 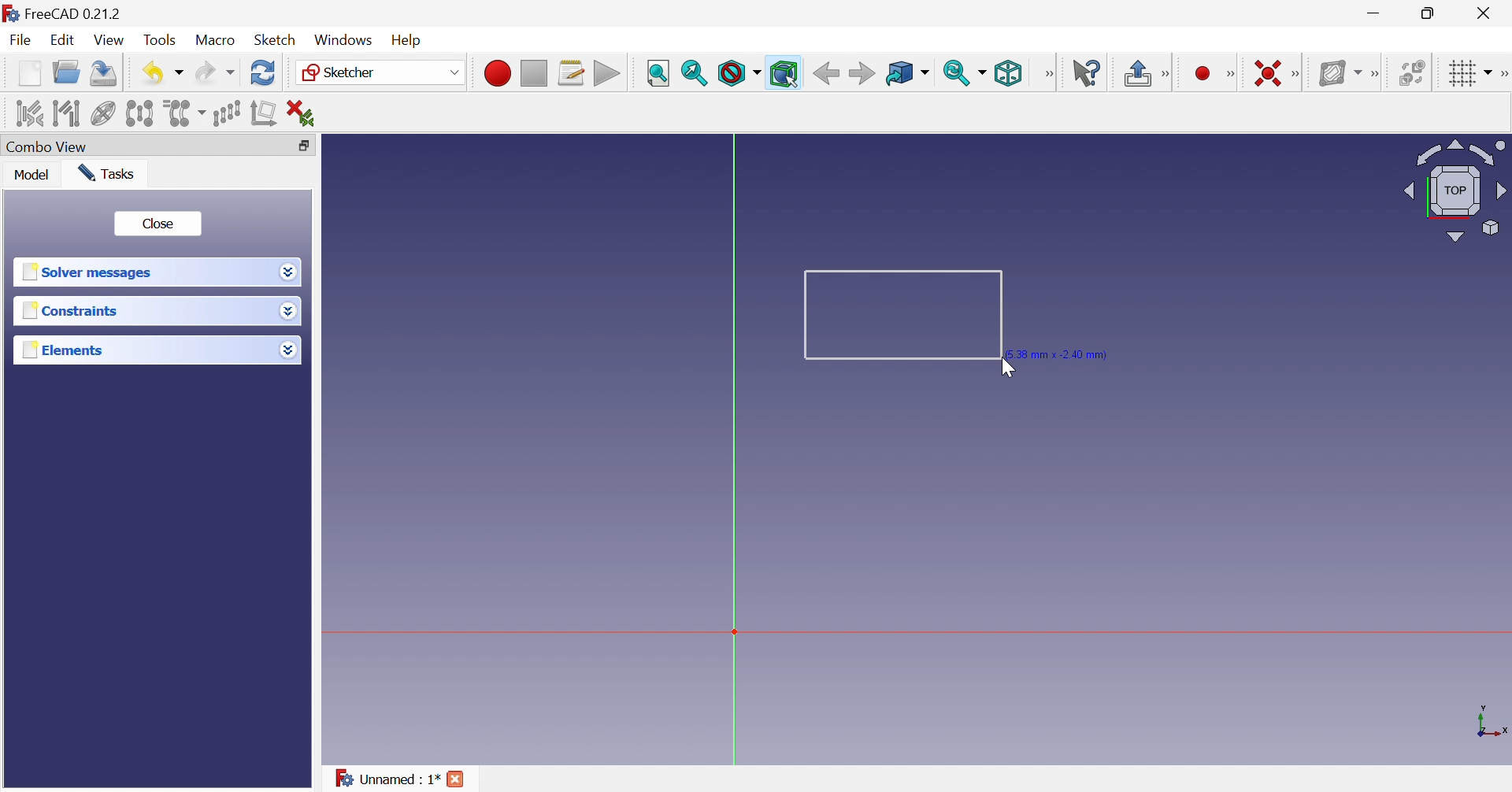 What do you see at coordinates (213, 40) in the screenshot?
I see `Macro` at bounding box center [213, 40].